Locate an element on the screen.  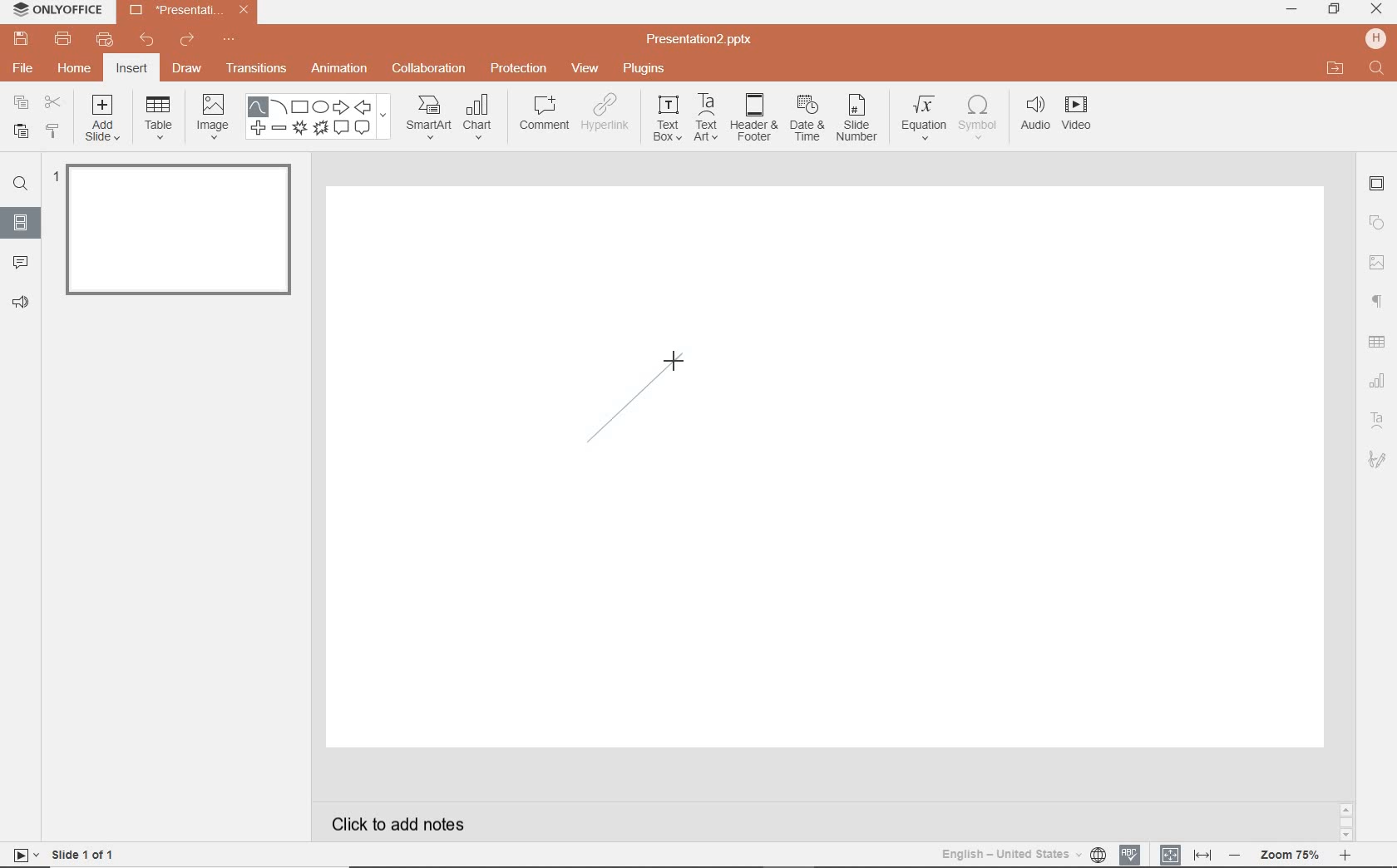
SYMBOL is located at coordinates (978, 117).